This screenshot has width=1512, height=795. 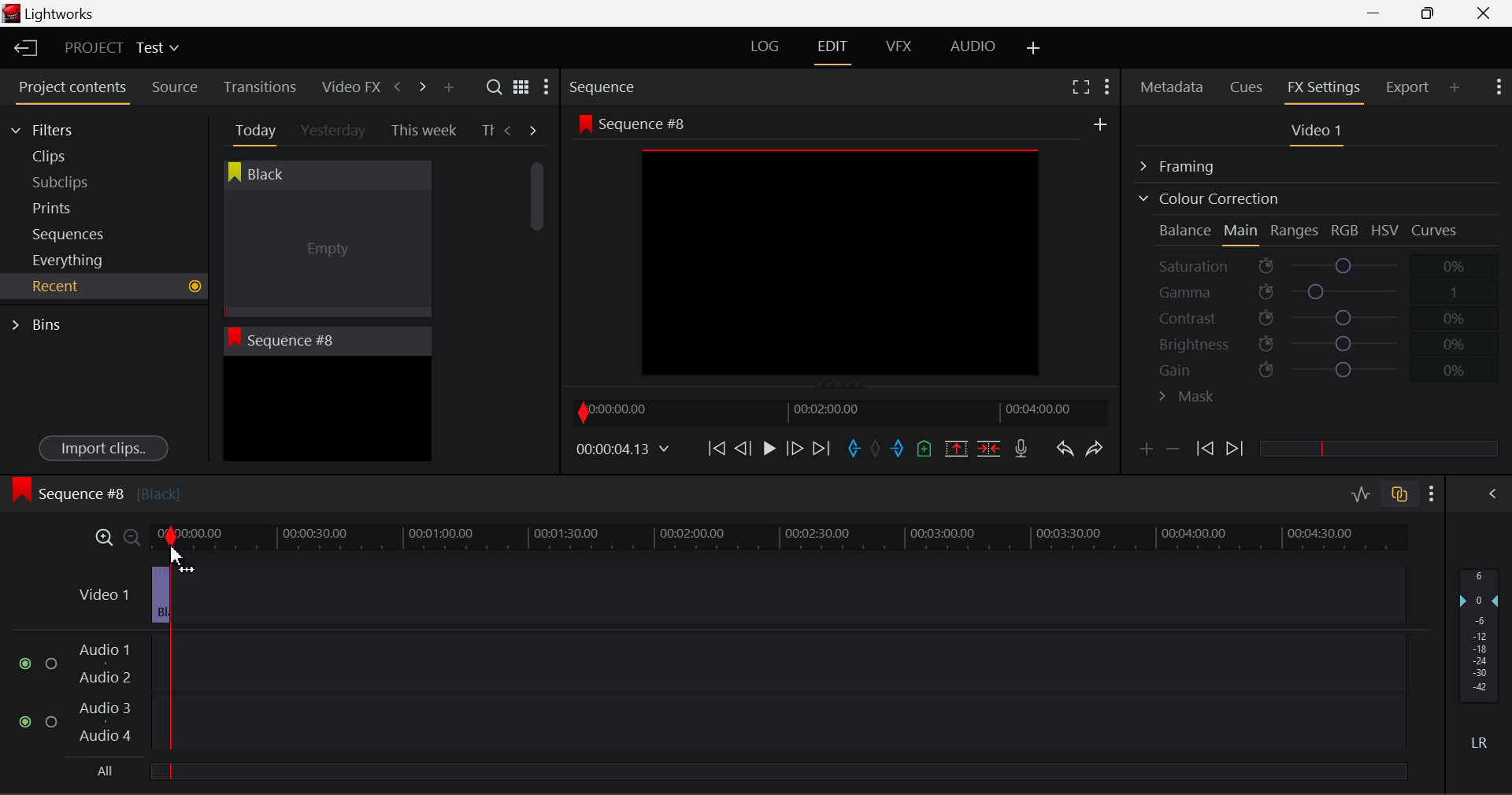 What do you see at coordinates (902, 48) in the screenshot?
I see `VFX Layout` at bounding box center [902, 48].